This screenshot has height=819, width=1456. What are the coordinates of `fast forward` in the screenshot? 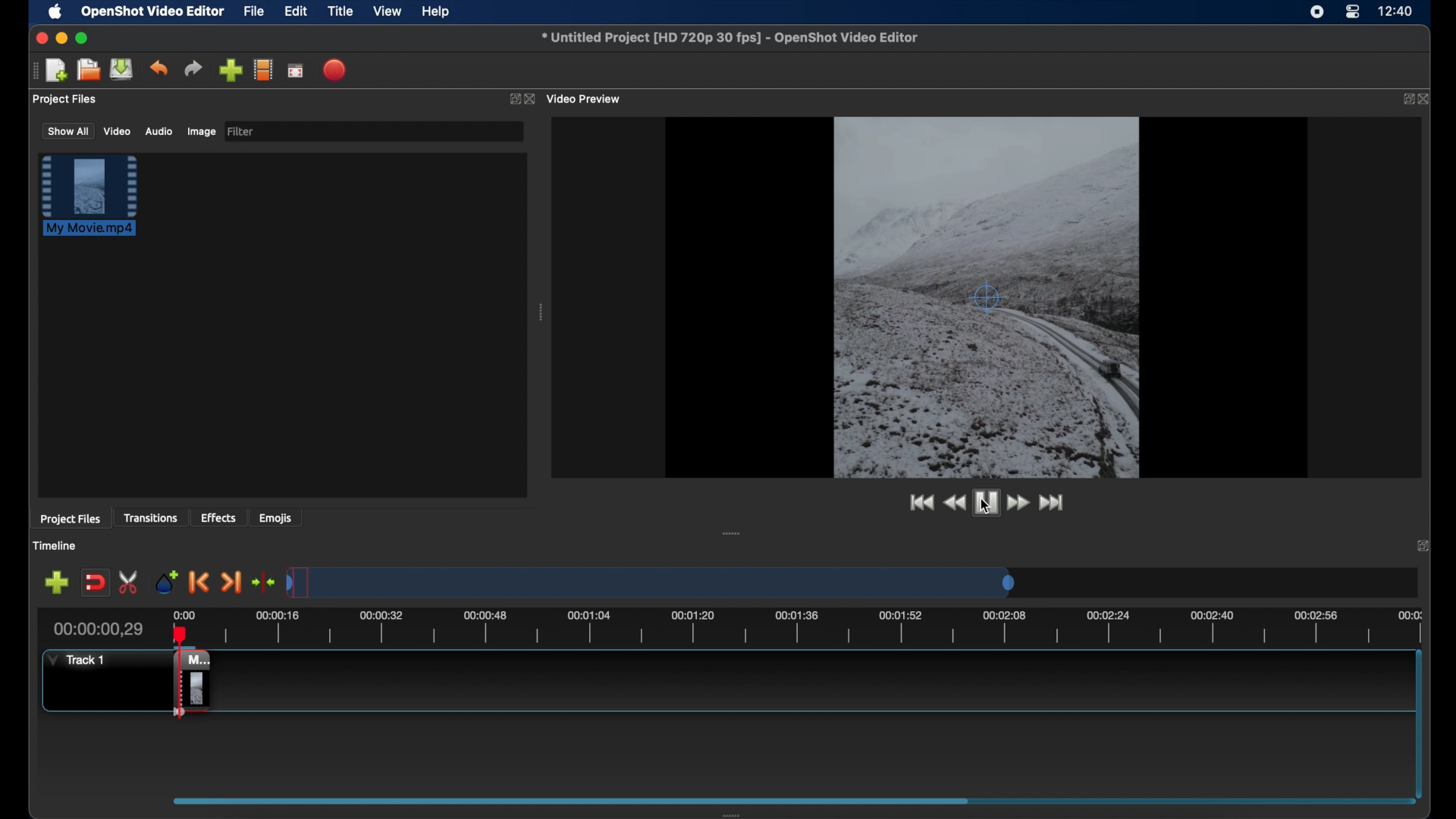 It's located at (1018, 503).